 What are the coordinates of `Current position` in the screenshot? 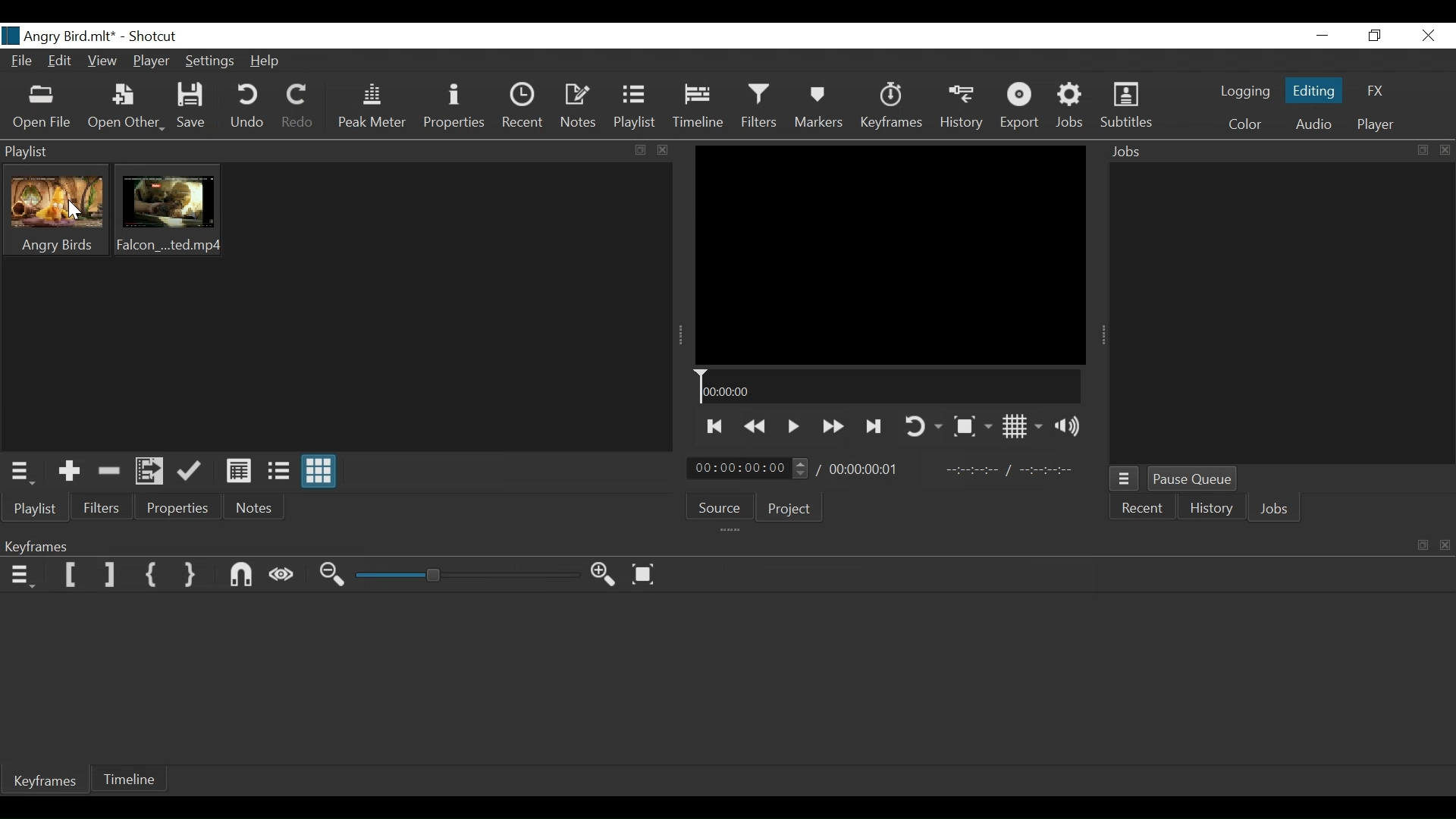 It's located at (752, 468).